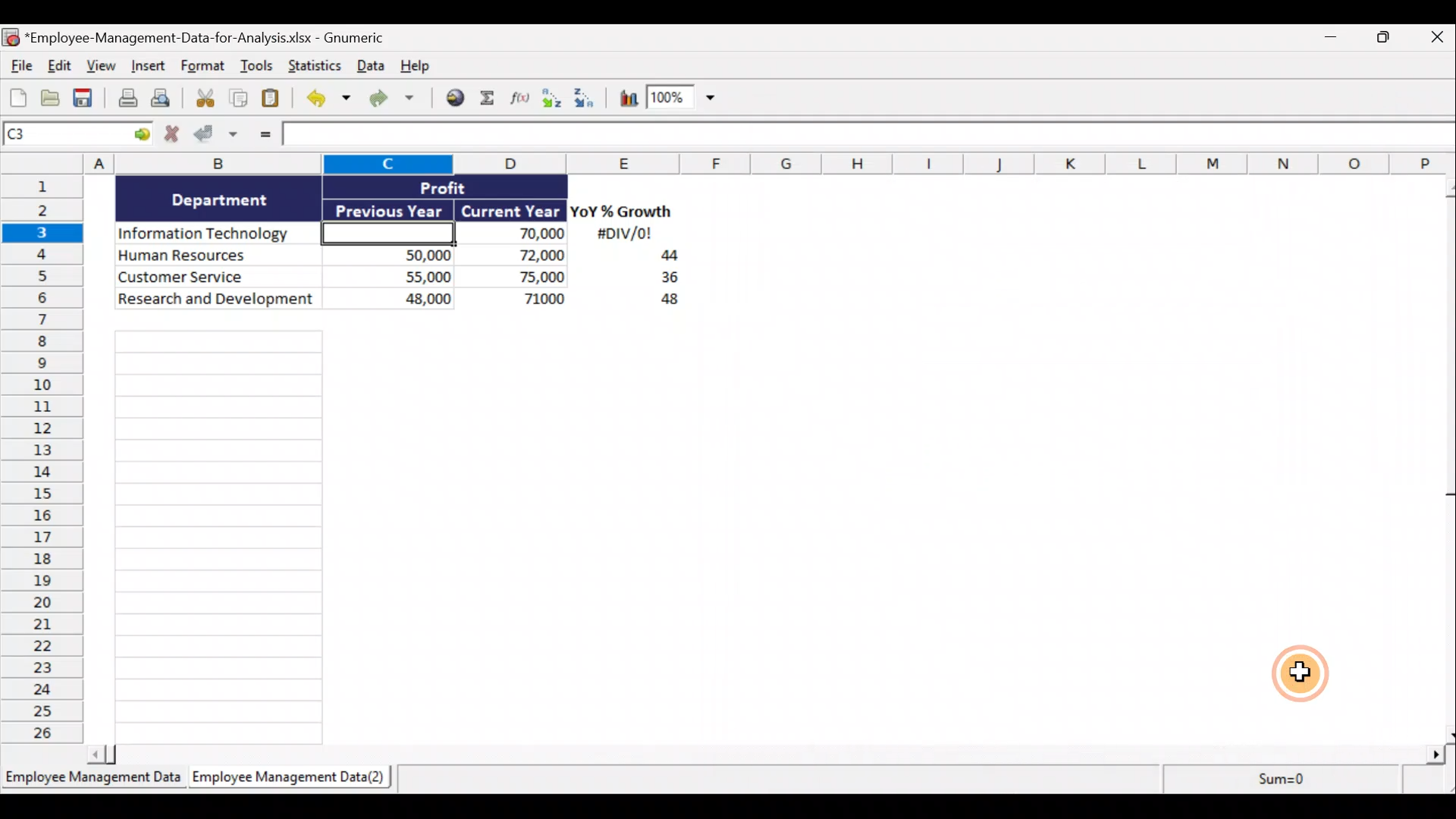 This screenshot has width=1456, height=819. Describe the element at coordinates (331, 99) in the screenshot. I see `Undo last action` at that location.